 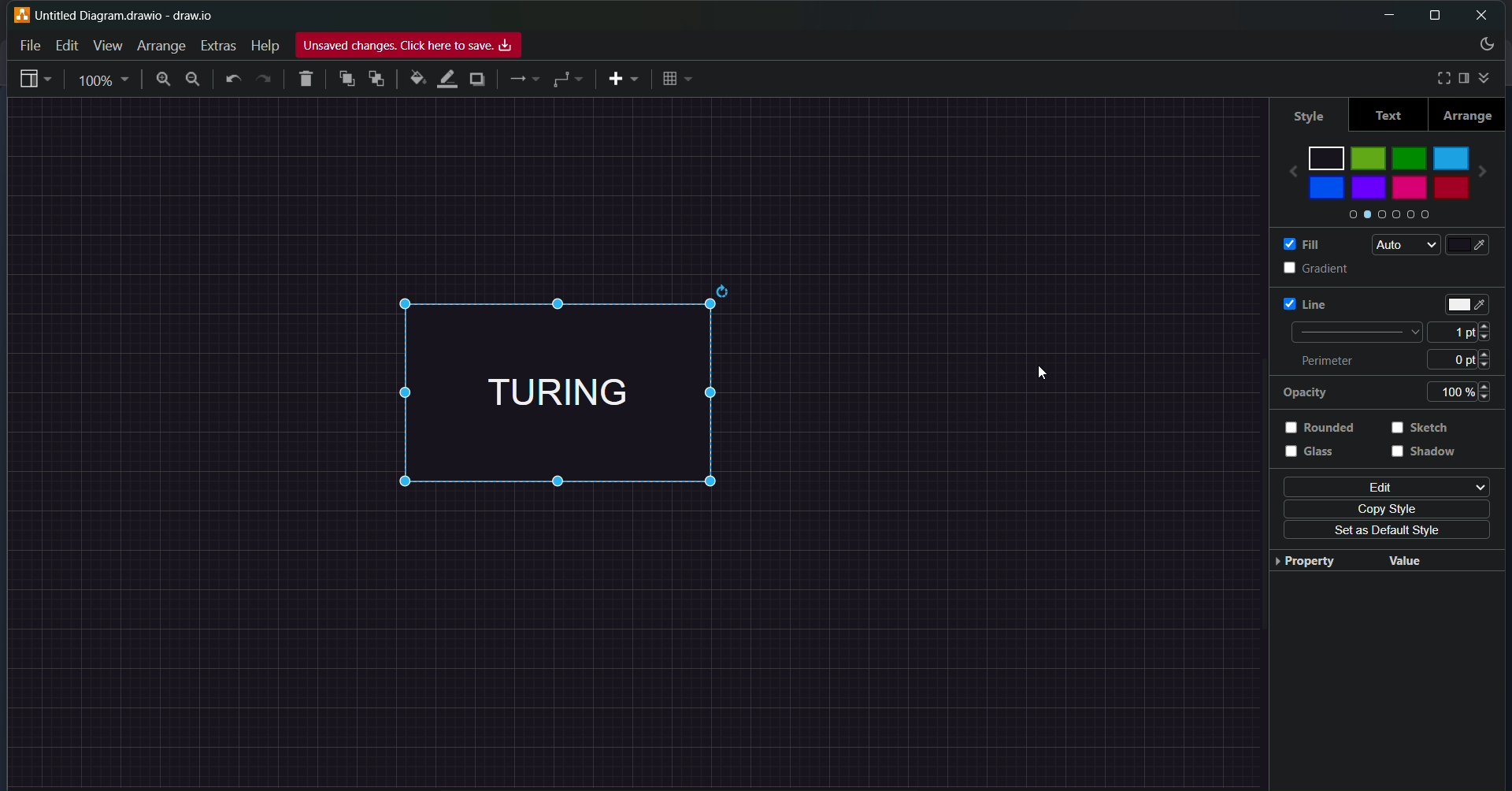 What do you see at coordinates (679, 79) in the screenshot?
I see `grid` at bounding box center [679, 79].